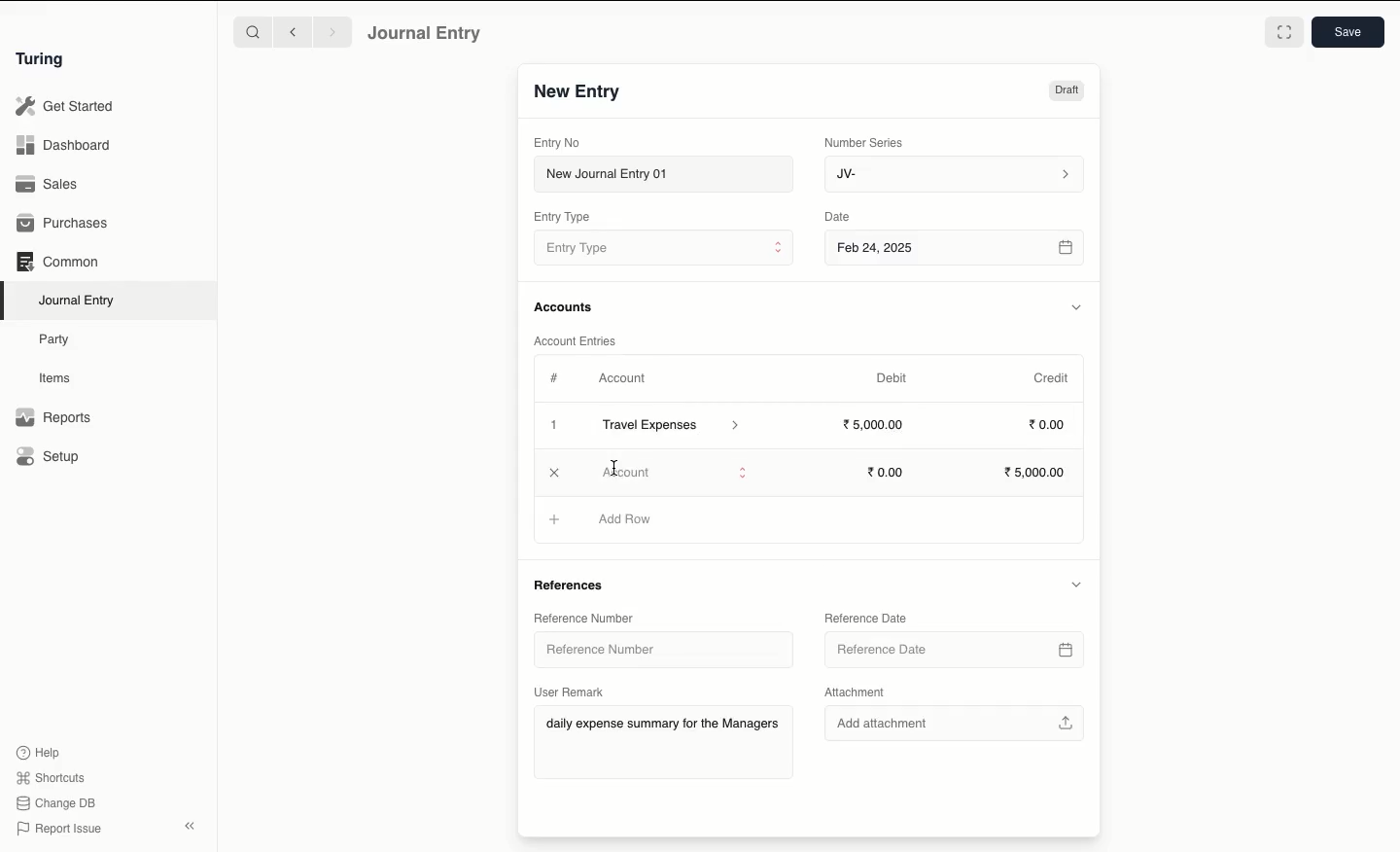 The width and height of the screenshot is (1400, 852). Describe the element at coordinates (651, 648) in the screenshot. I see `Reference Number` at that location.